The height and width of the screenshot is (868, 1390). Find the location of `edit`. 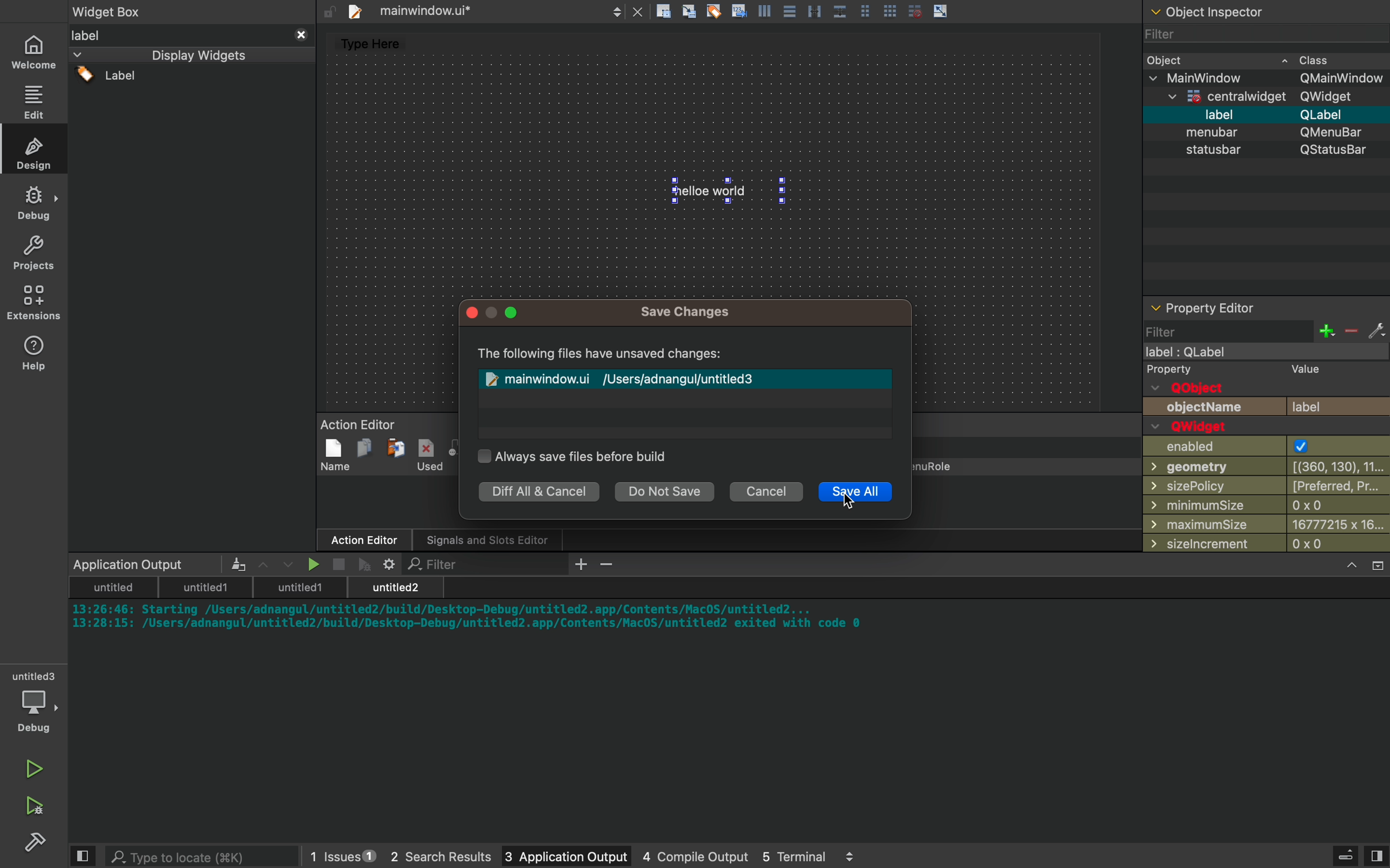

edit is located at coordinates (36, 101).